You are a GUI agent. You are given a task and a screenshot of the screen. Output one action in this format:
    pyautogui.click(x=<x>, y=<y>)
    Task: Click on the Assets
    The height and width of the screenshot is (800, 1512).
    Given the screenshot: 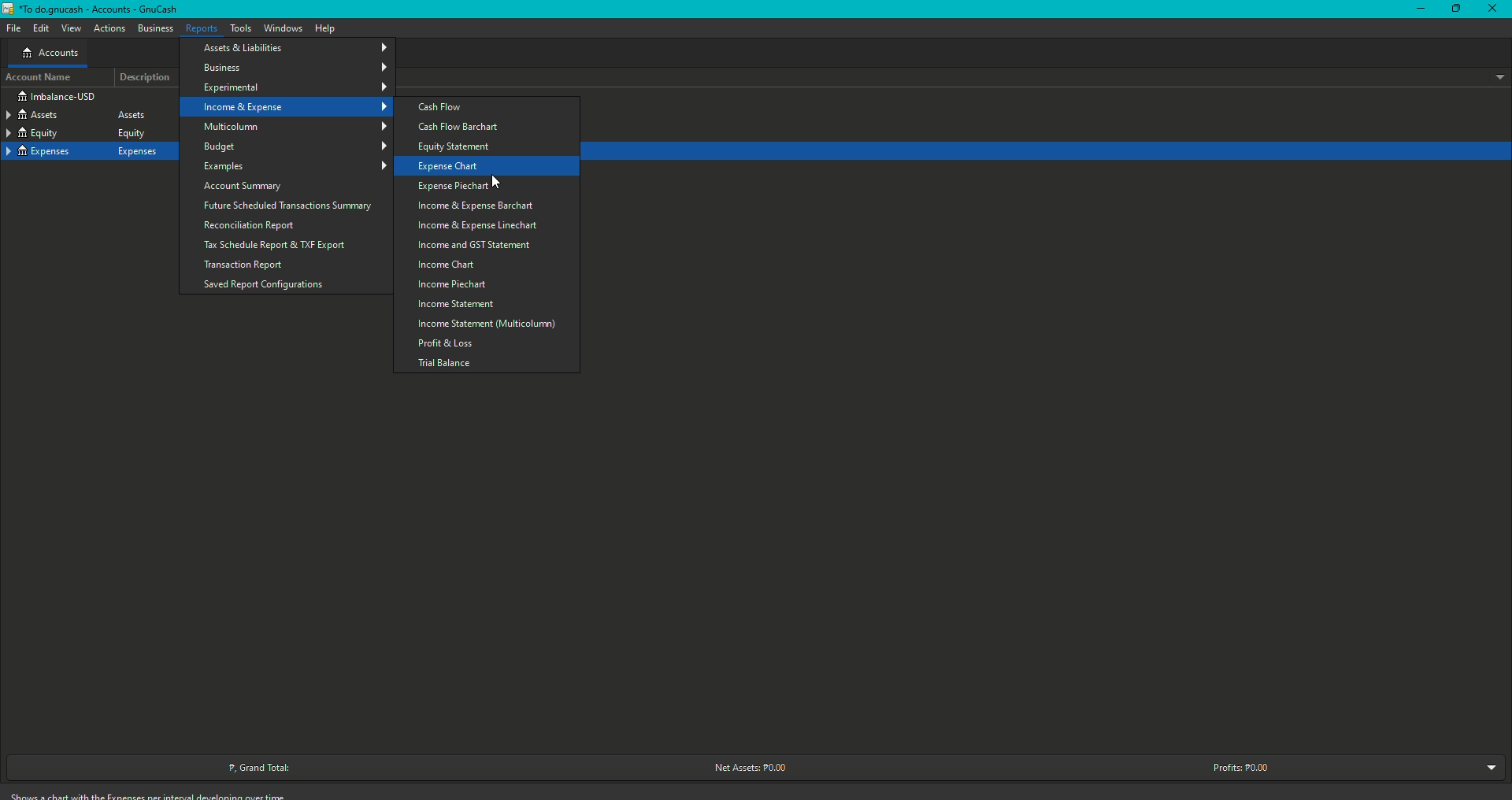 What is the action you would take?
    pyautogui.click(x=84, y=114)
    